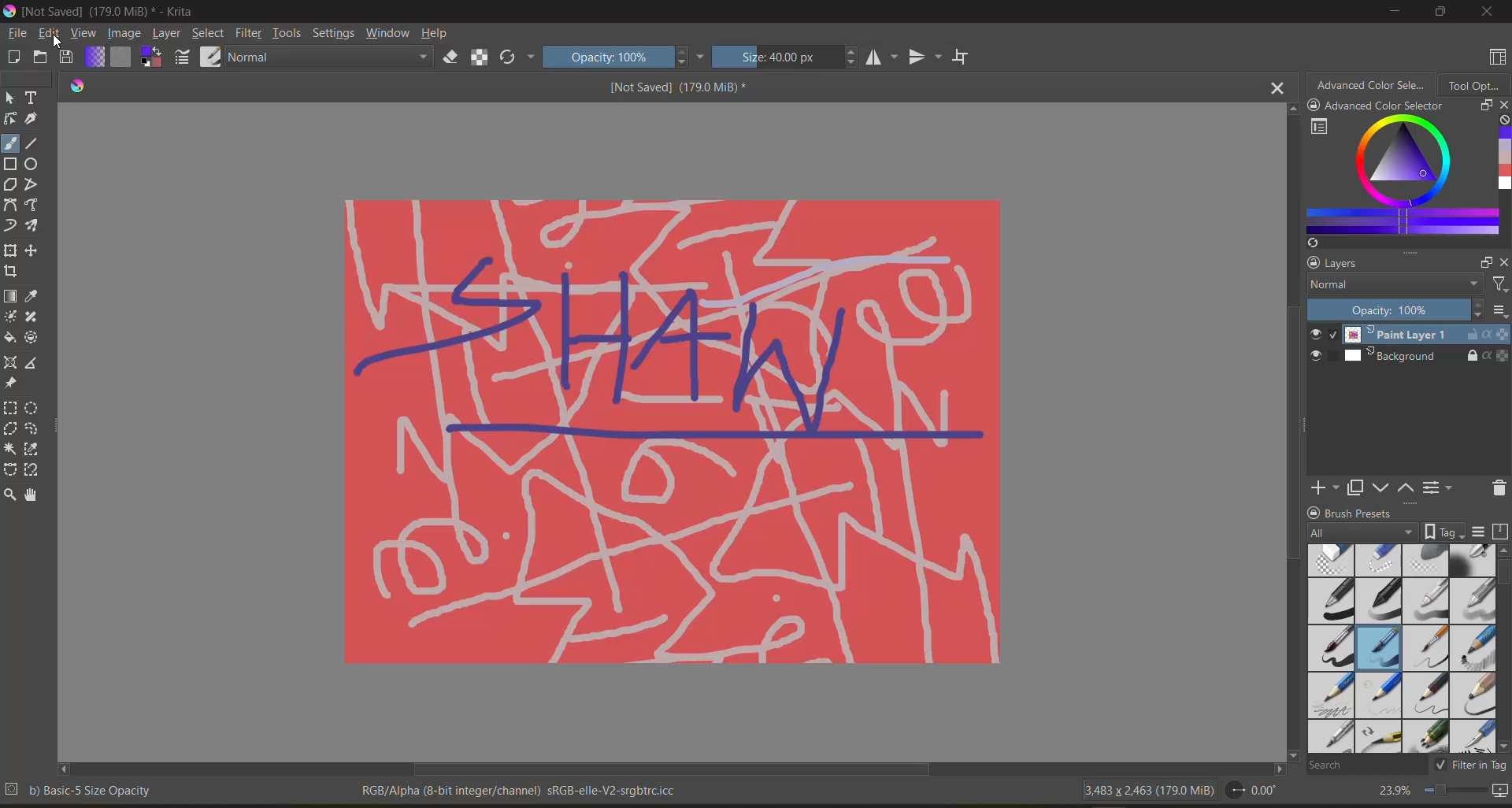  I want to click on line tool, so click(32, 143).